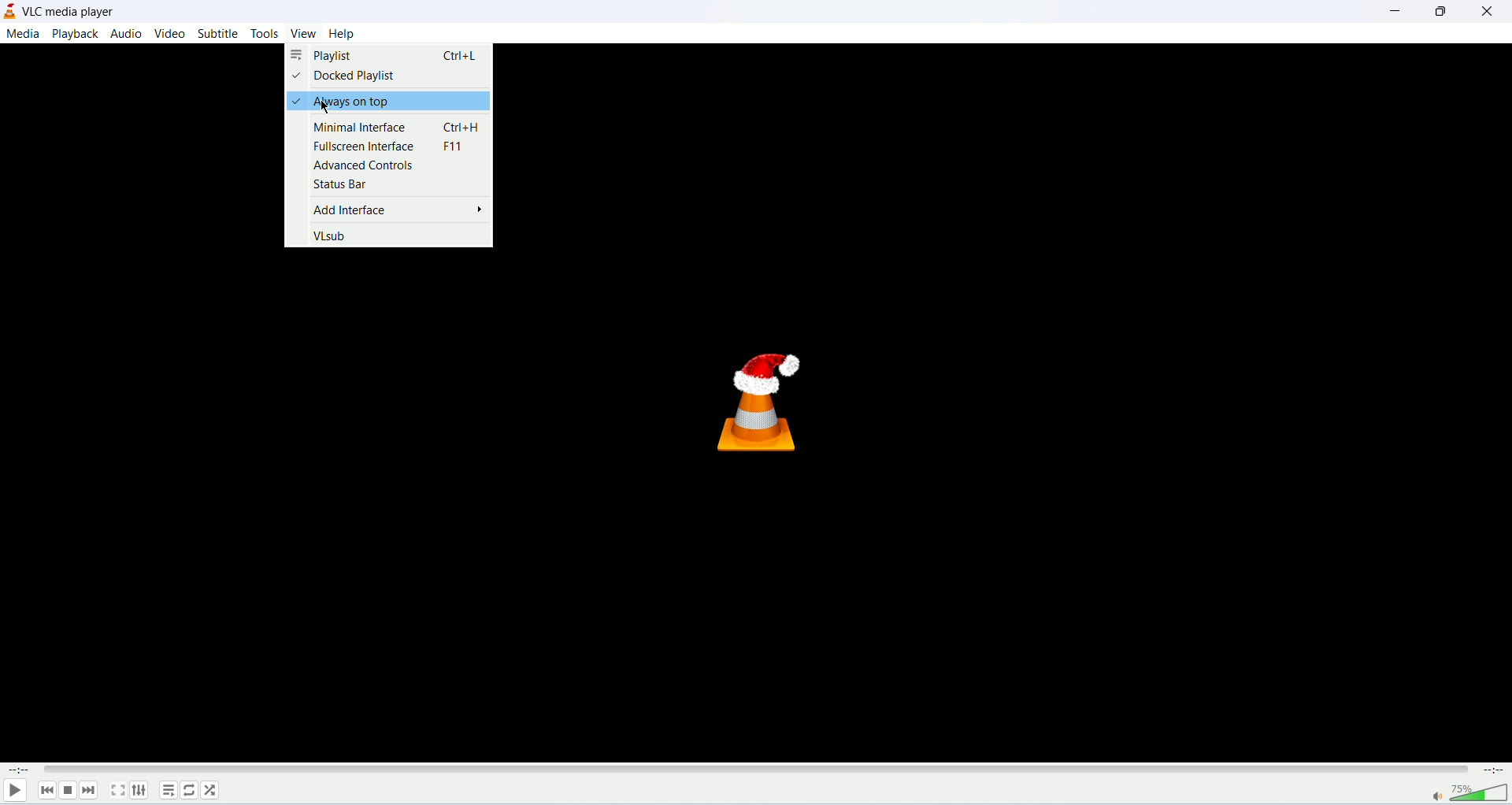 The height and width of the screenshot is (805, 1512). What do you see at coordinates (330, 236) in the screenshot?
I see `VLsub` at bounding box center [330, 236].